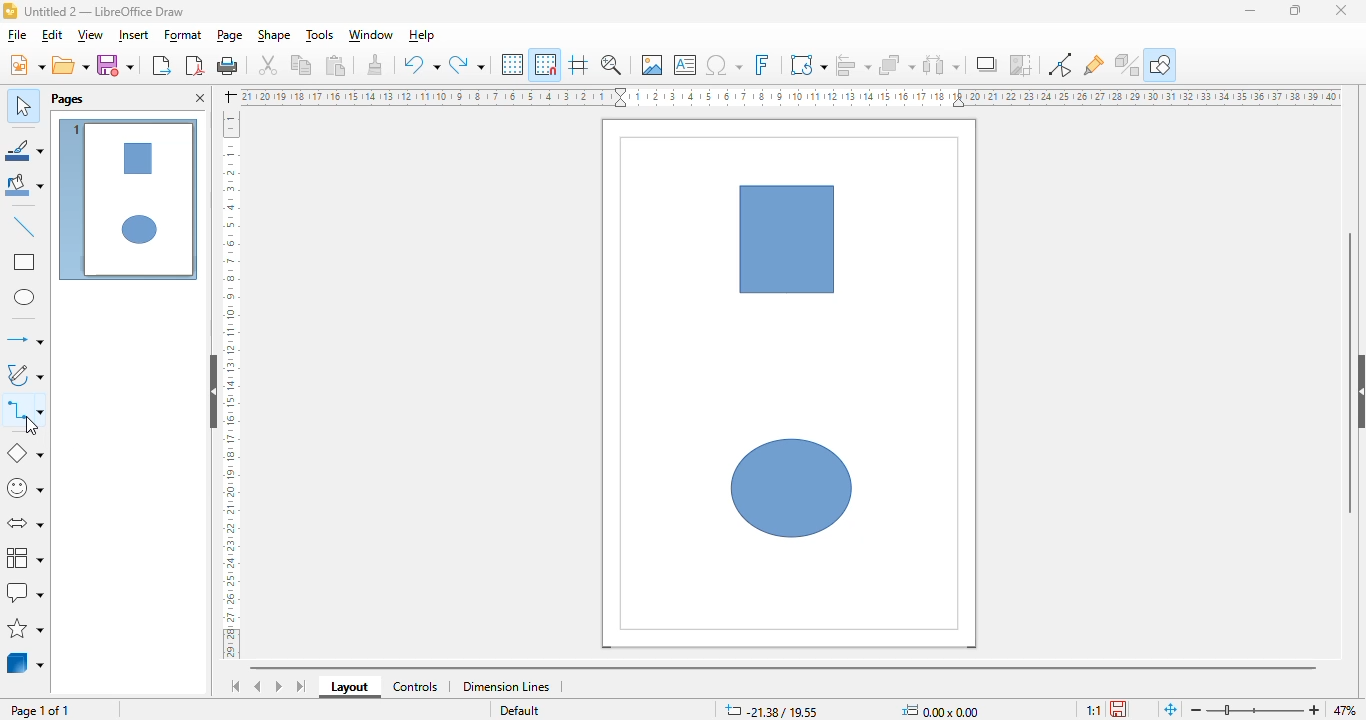 The image size is (1366, 720). Describe the element at coordinates (1345, 710) in the screenshot. I see `47%` at that location.